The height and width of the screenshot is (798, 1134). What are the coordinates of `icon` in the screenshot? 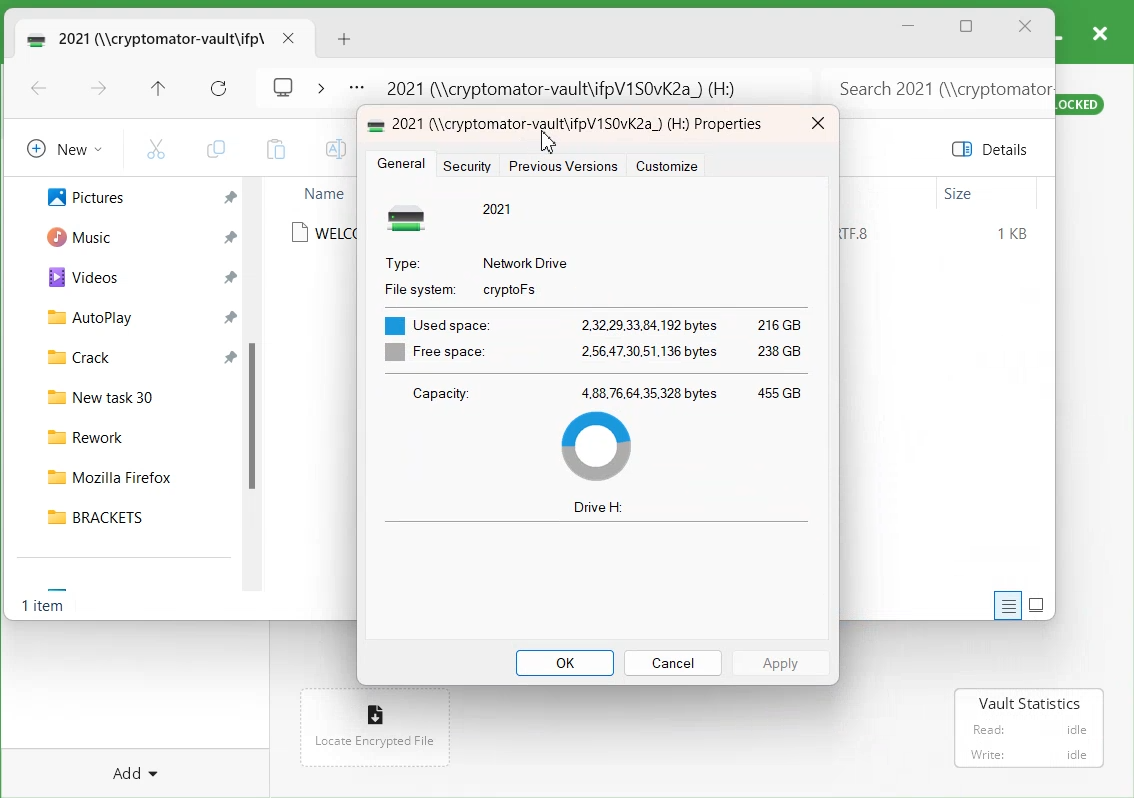 It's located at (377, 710).